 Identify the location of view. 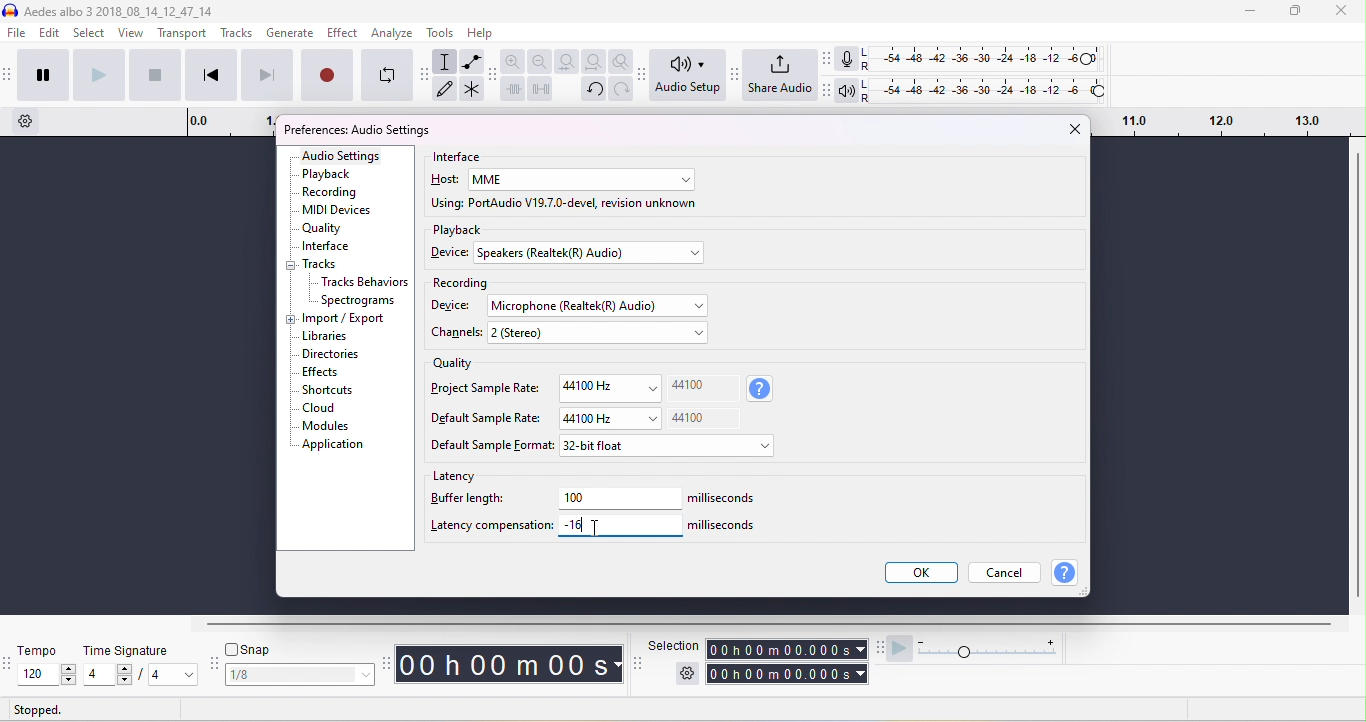
(132, 32).